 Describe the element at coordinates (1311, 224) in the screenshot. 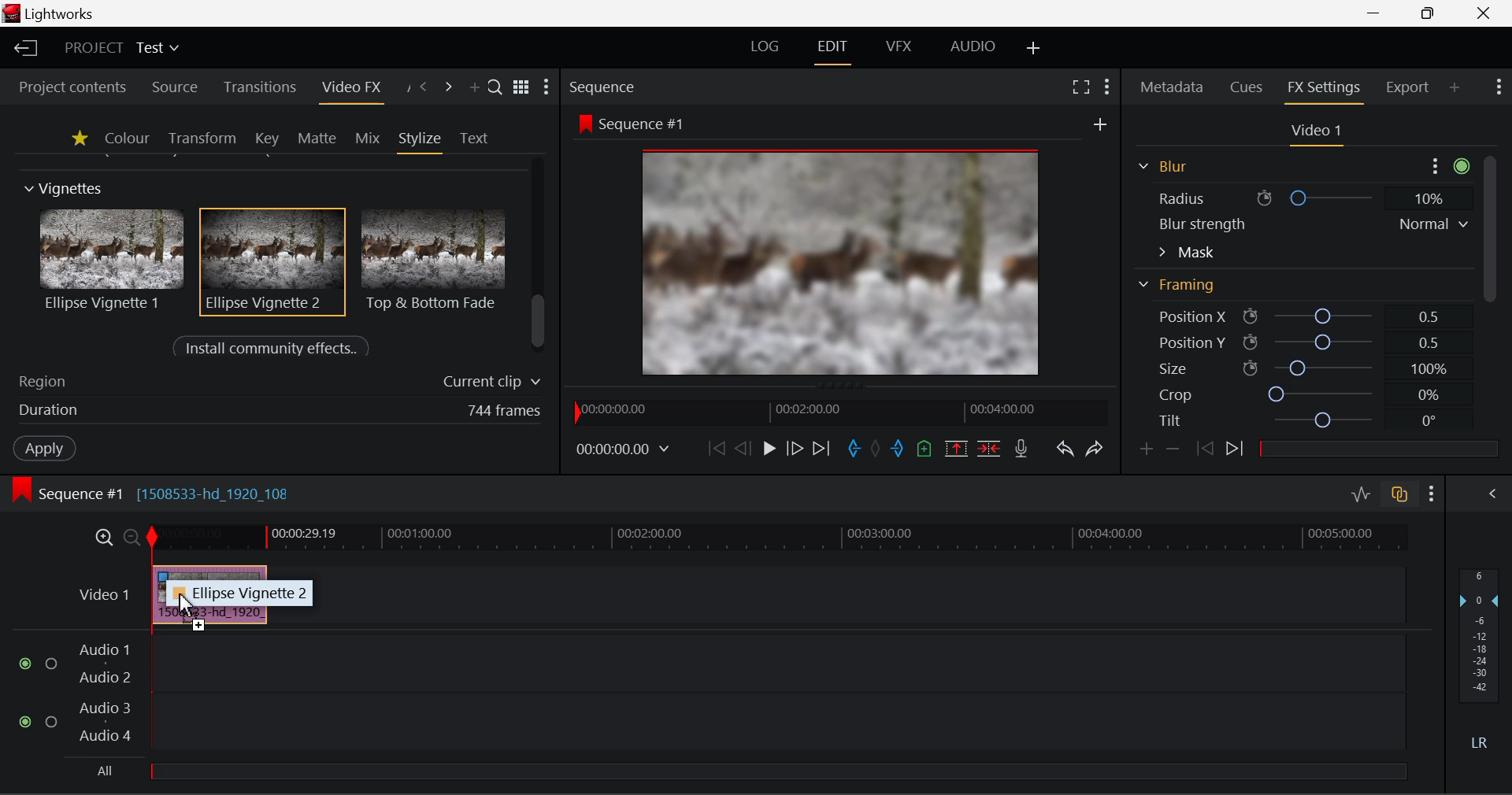

I see `Blur strength Normal v` at that location.